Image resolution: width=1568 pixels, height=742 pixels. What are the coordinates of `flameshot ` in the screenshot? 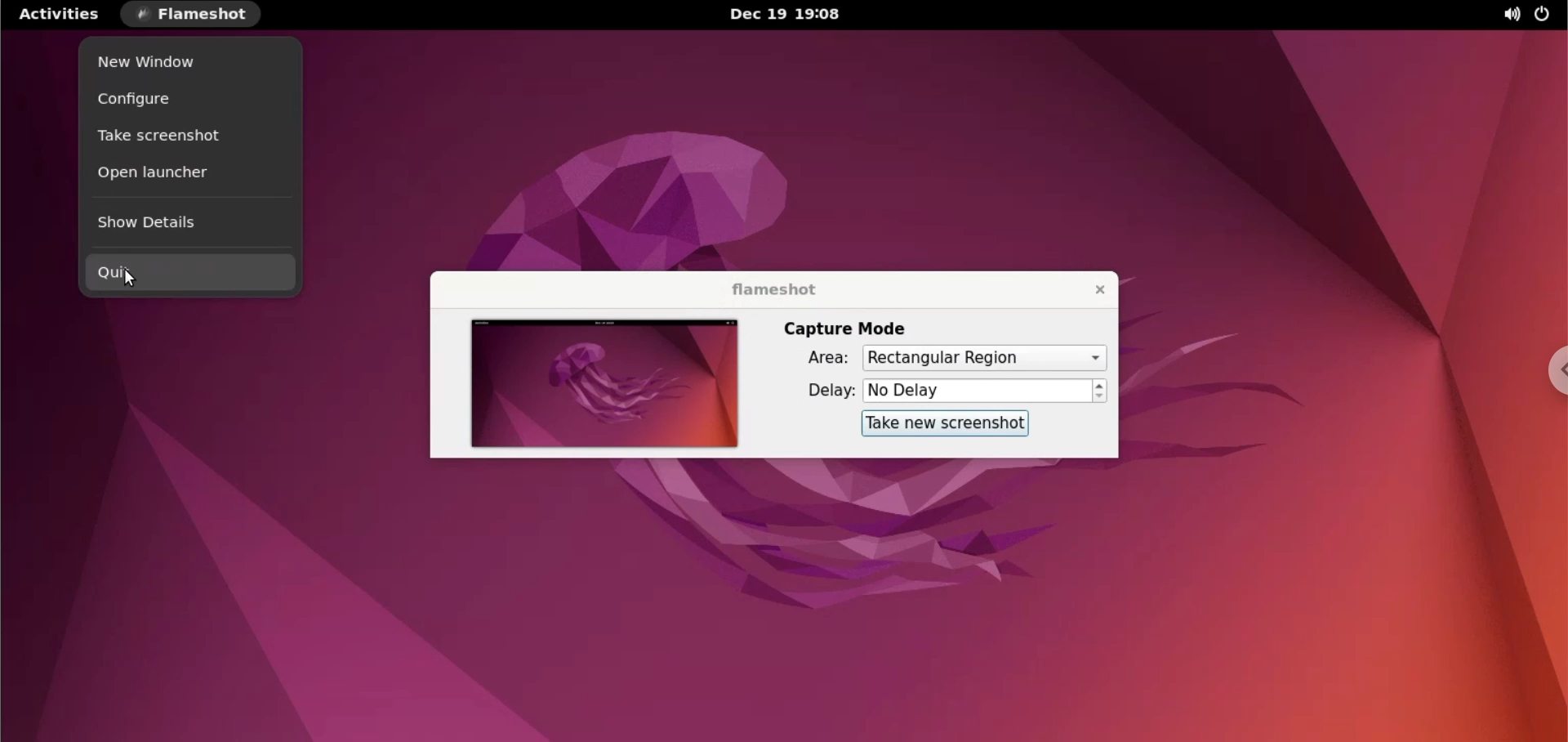 It's located at (768, 288).